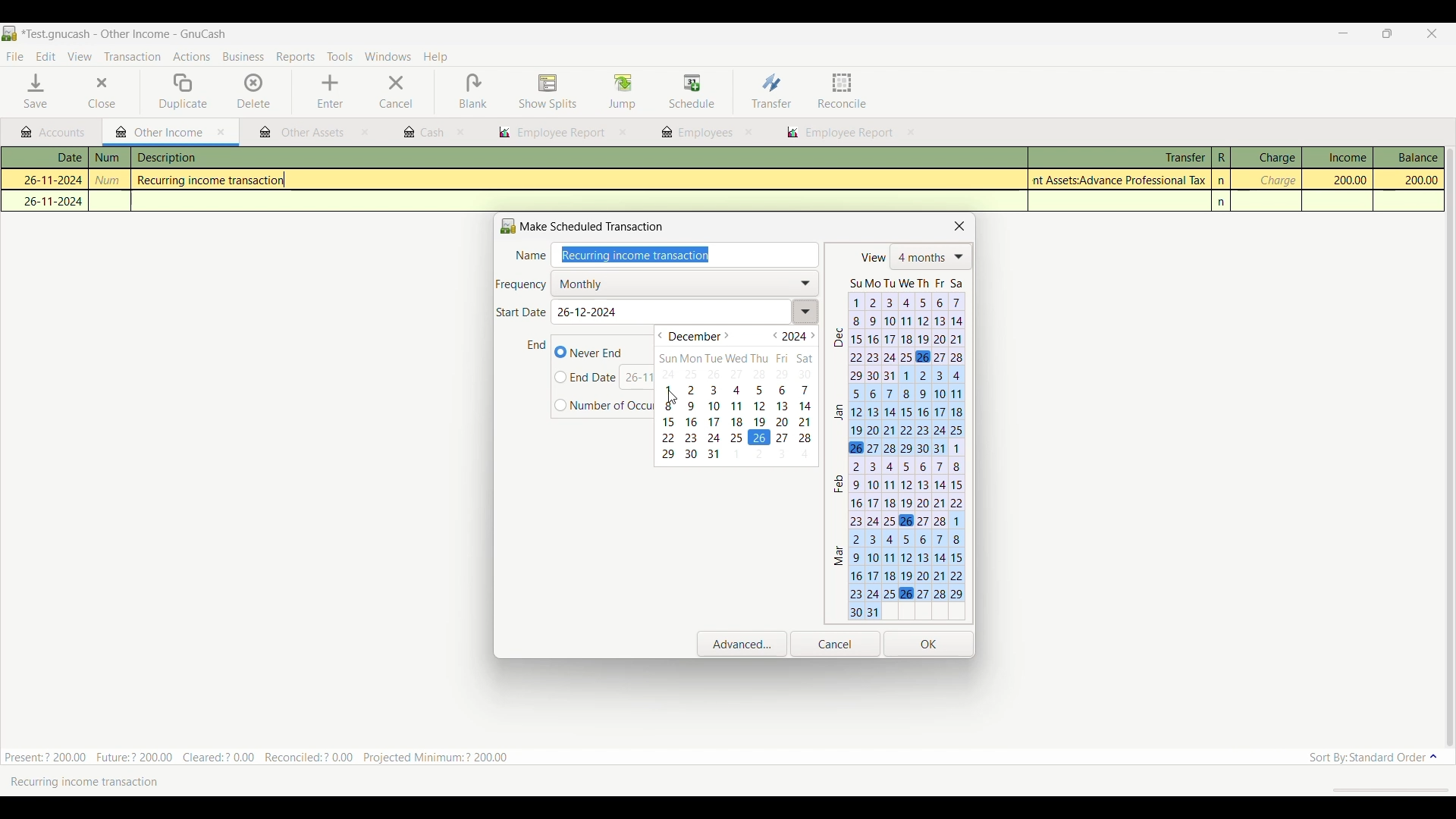 The width and height of the screenshot is (1456, 819). Describe the element at coordinates (931, 258) in the screenshot. I see `List of number of months shows in calendar below` at that location.